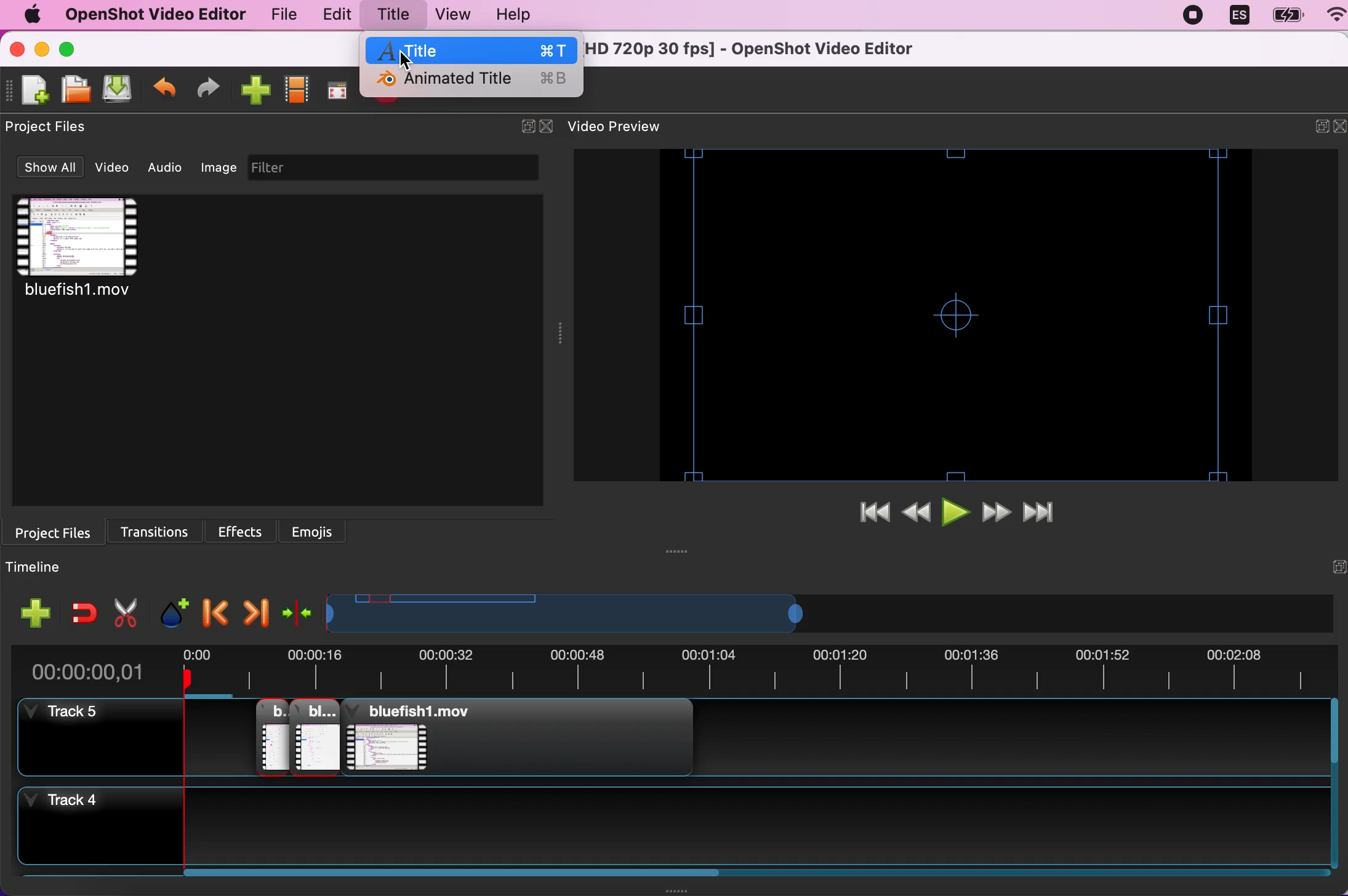 The height and width of the screenshot is (896, 1348). What do you see at coordinates (149, 14) in the screenshot?
I see `openshot video editor` at bounding box center [149, 14].